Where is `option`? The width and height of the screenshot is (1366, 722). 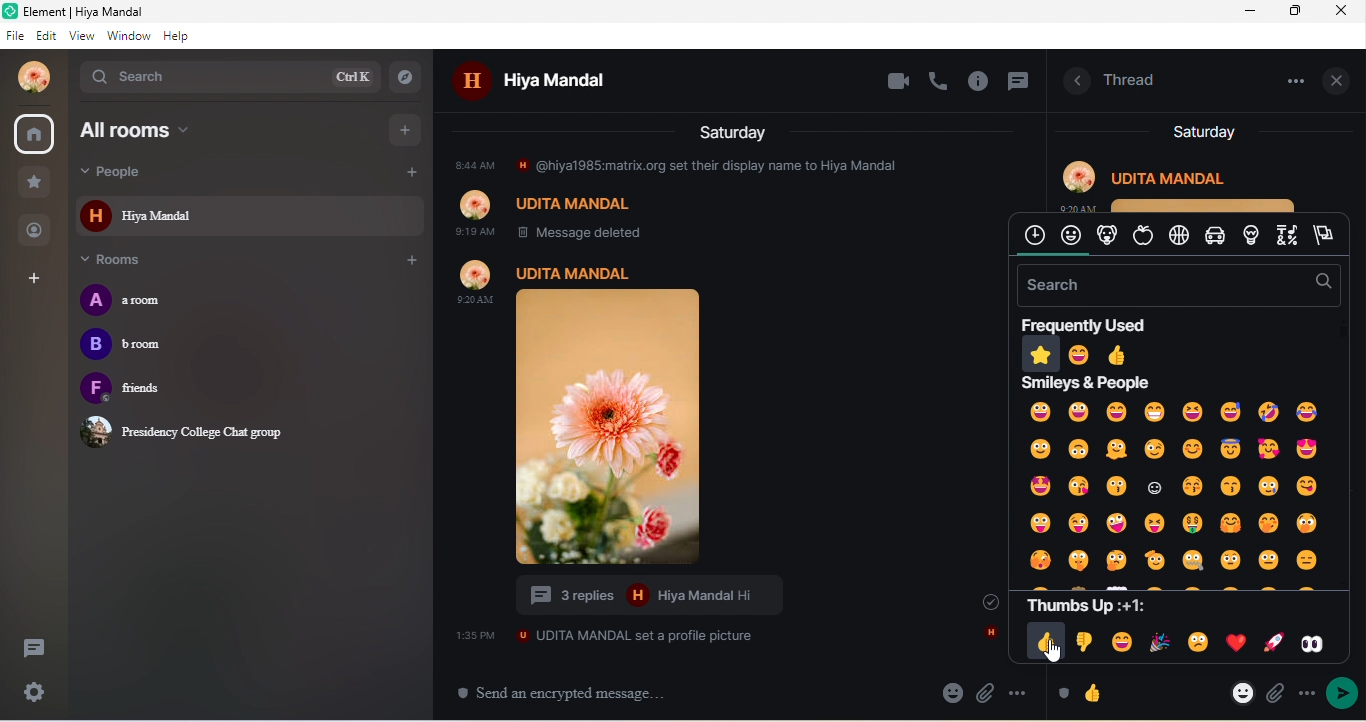
option is located at coordinates (1291, 80).